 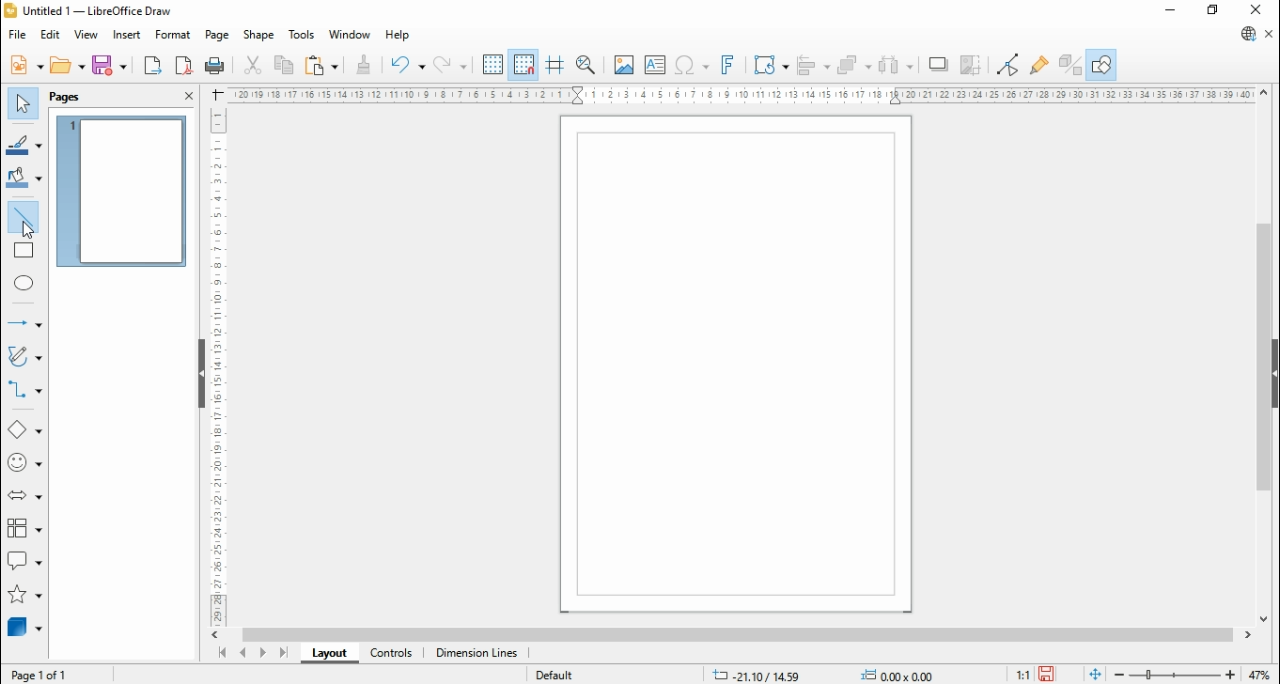 What do you see at coordinates (16, 35) in the screenshot?
I see `file` at bounding box center [16, 35].